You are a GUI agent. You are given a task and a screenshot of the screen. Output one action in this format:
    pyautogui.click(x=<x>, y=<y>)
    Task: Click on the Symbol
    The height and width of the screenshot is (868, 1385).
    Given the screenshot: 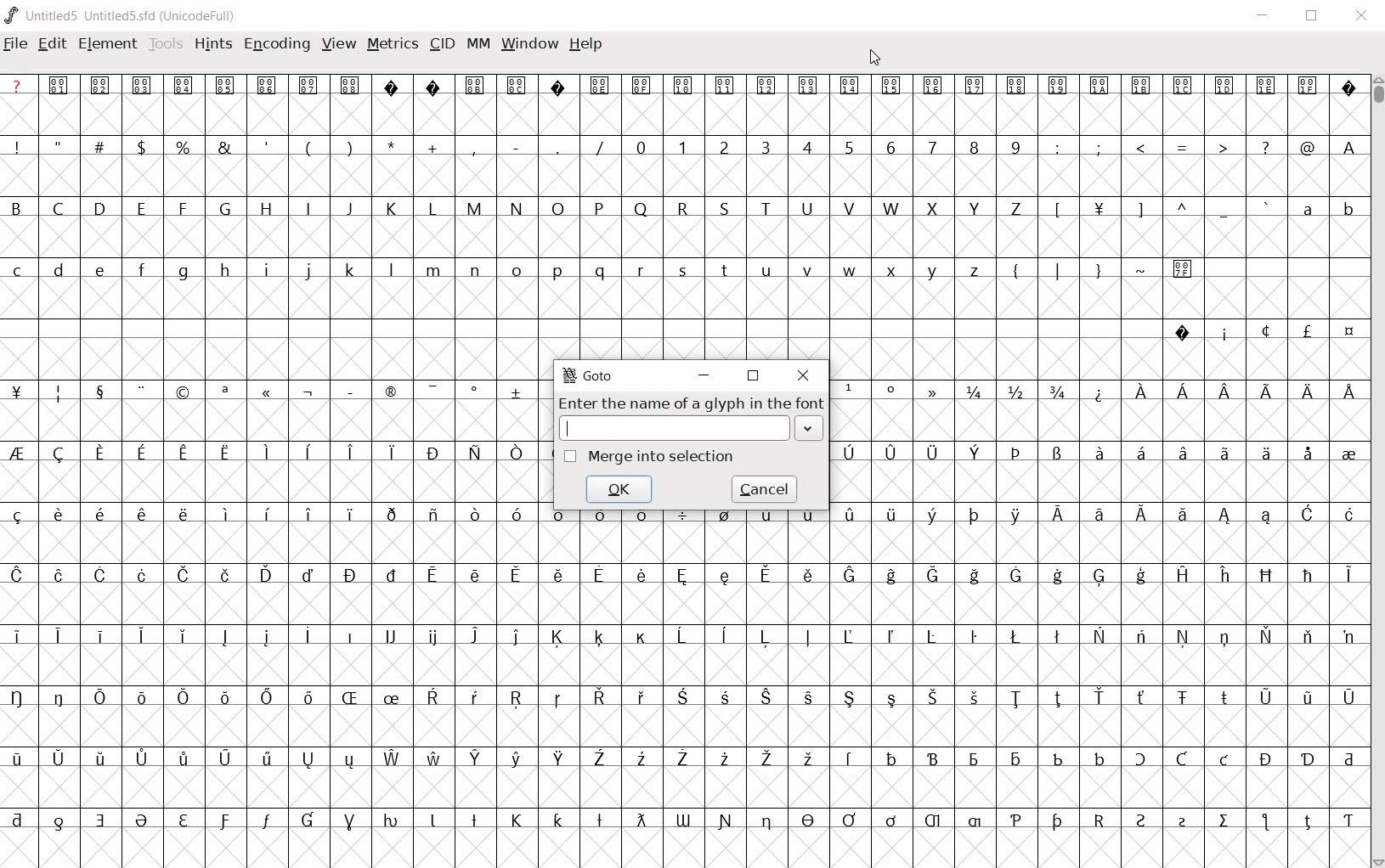 What is the action you would take?
    pyautogui.click(x=432, y=390)
    